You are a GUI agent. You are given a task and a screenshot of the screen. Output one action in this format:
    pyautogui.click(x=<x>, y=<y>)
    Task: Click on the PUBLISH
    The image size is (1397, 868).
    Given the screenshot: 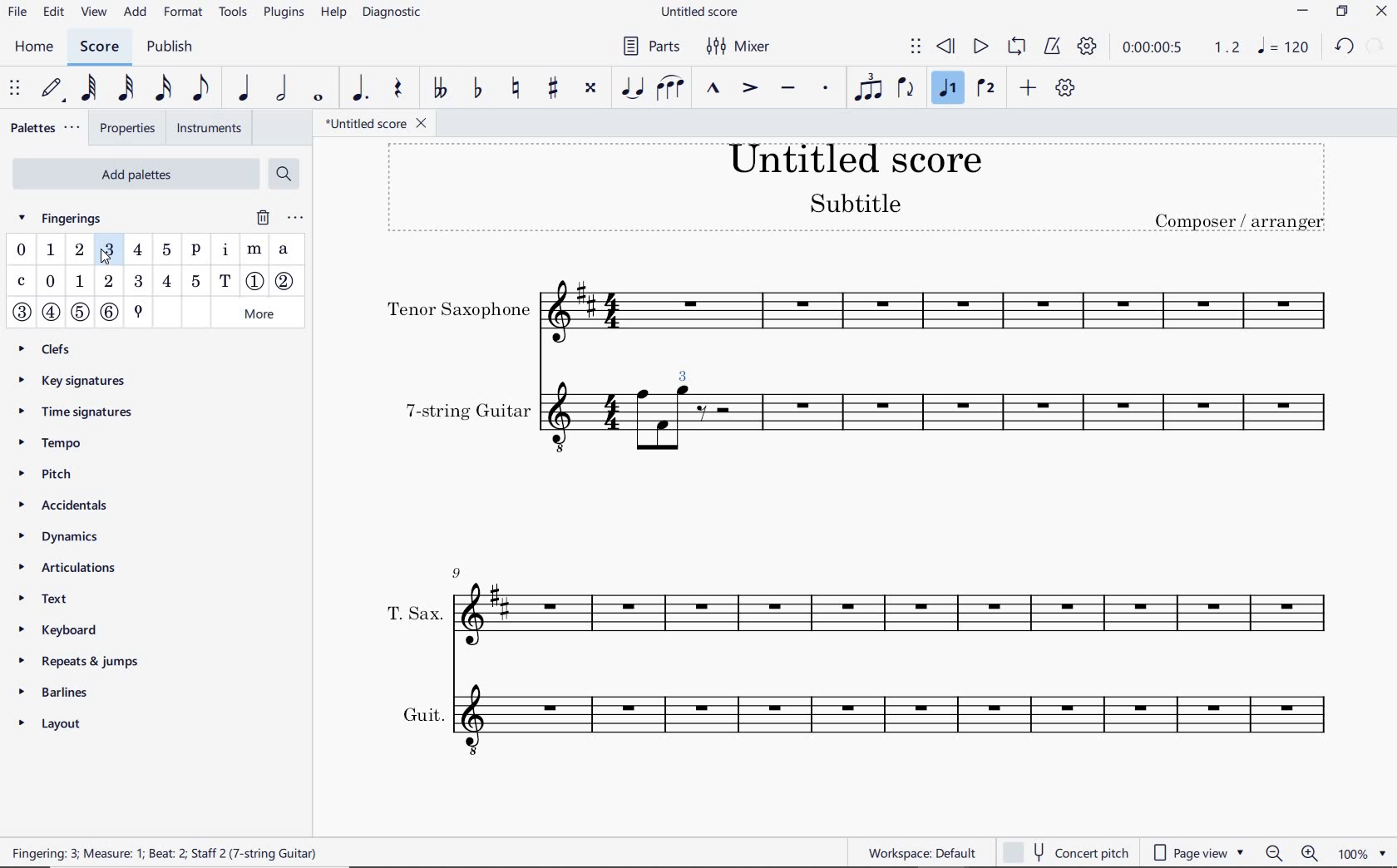 What is the action you would take?
    pyautogui.click(x=175, y=47)
    